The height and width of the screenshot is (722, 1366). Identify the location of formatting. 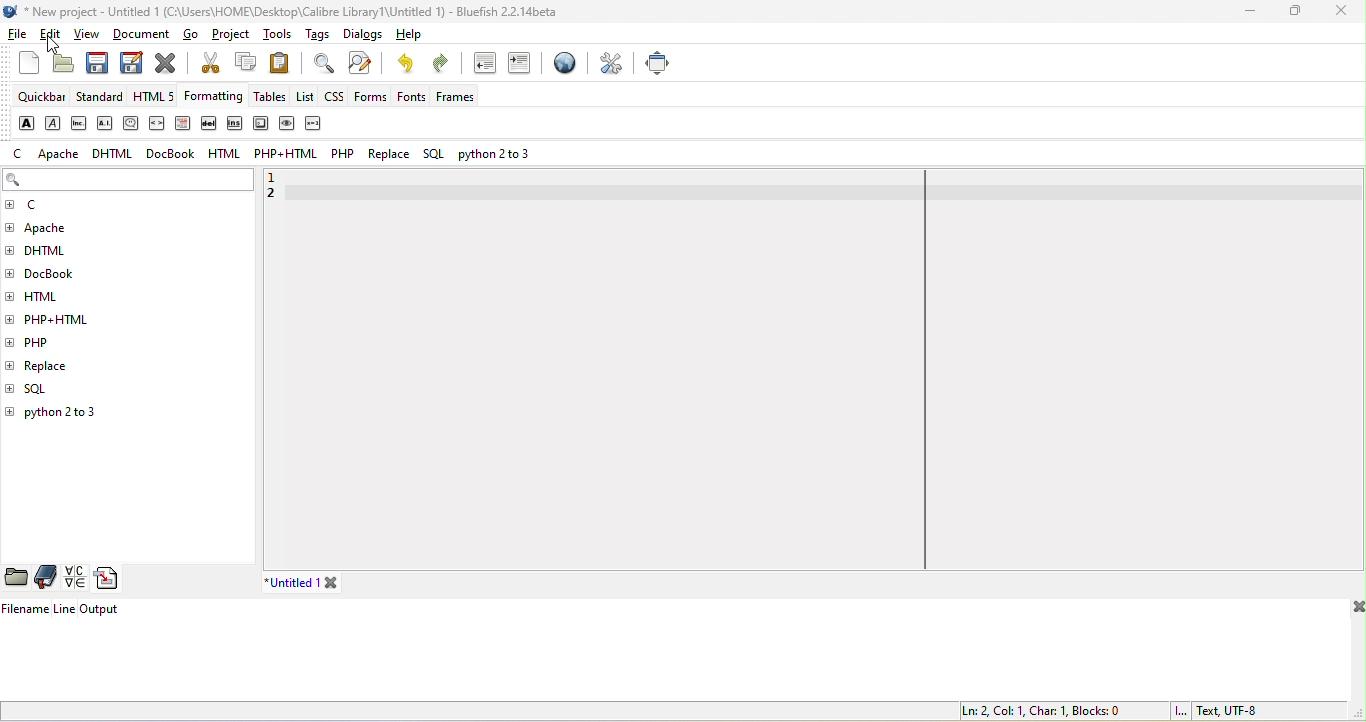
(217, 97).